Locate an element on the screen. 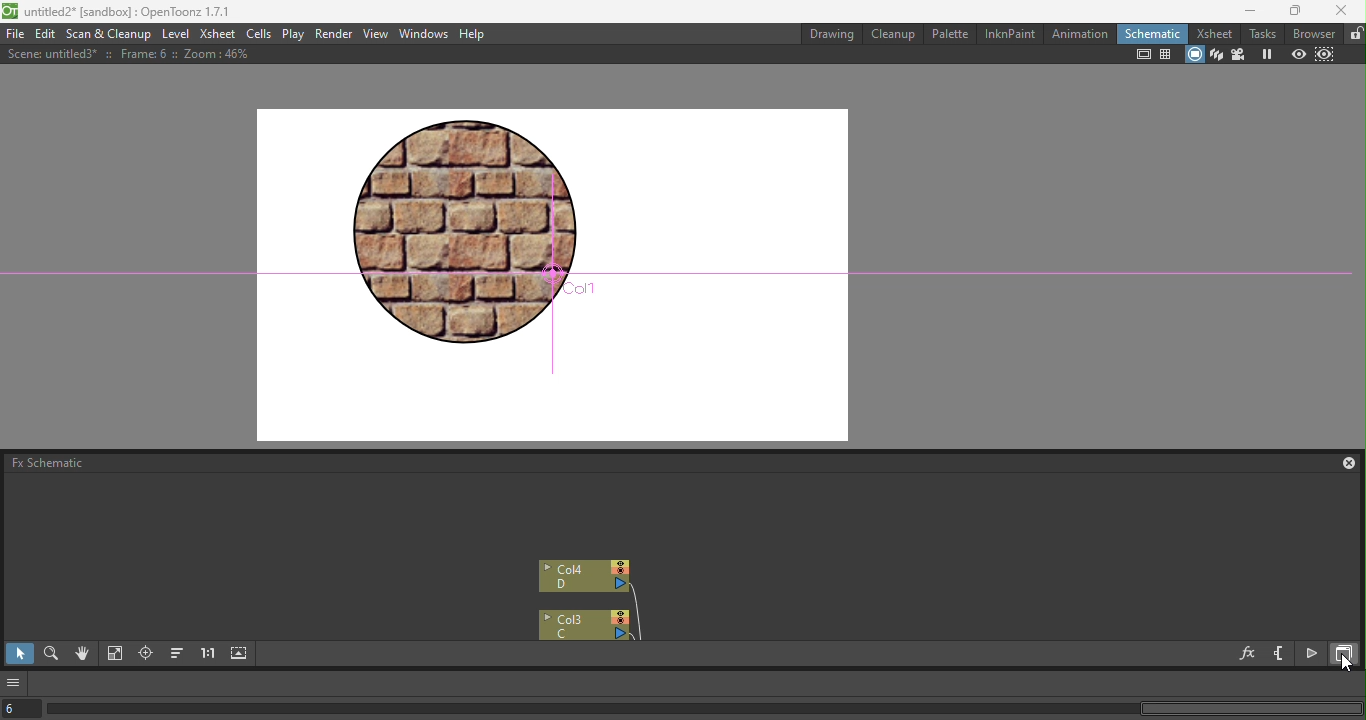 Image resolution: width=1366 pixels, height=720 pixels. View is located at coordinates (376, 34).